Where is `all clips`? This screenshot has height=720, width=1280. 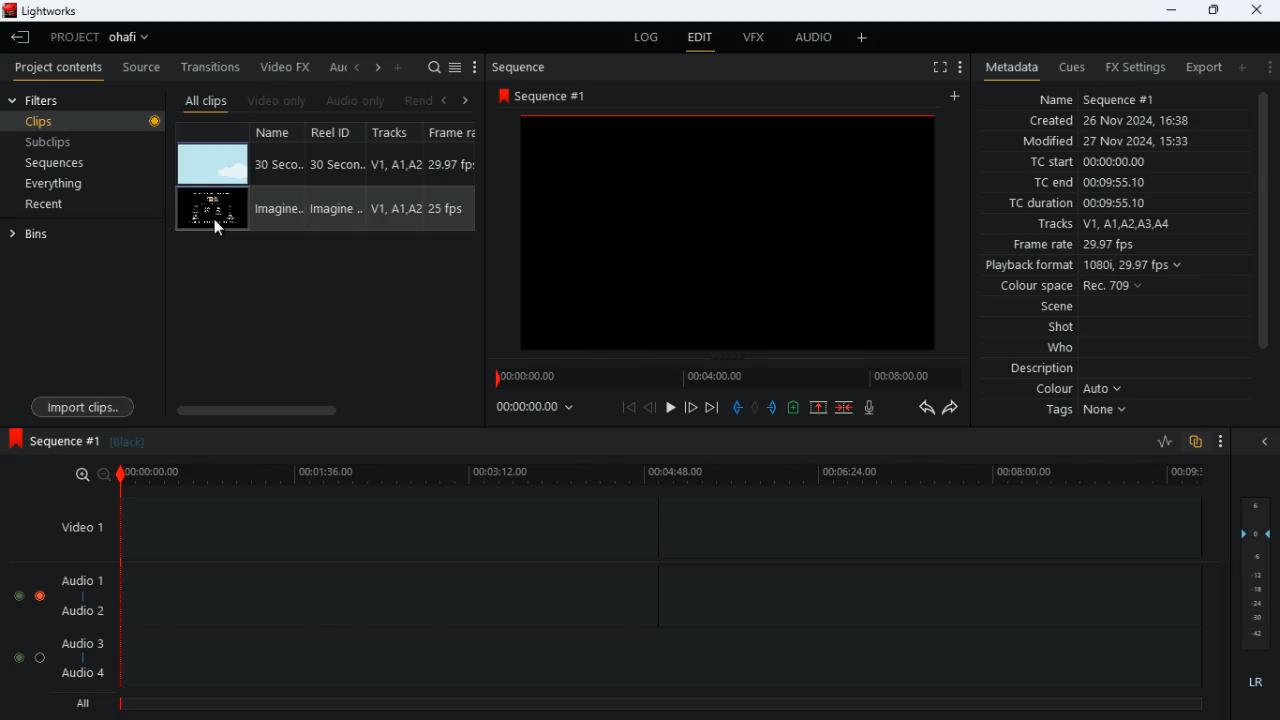
all clips is located at coordinates (206, 100).